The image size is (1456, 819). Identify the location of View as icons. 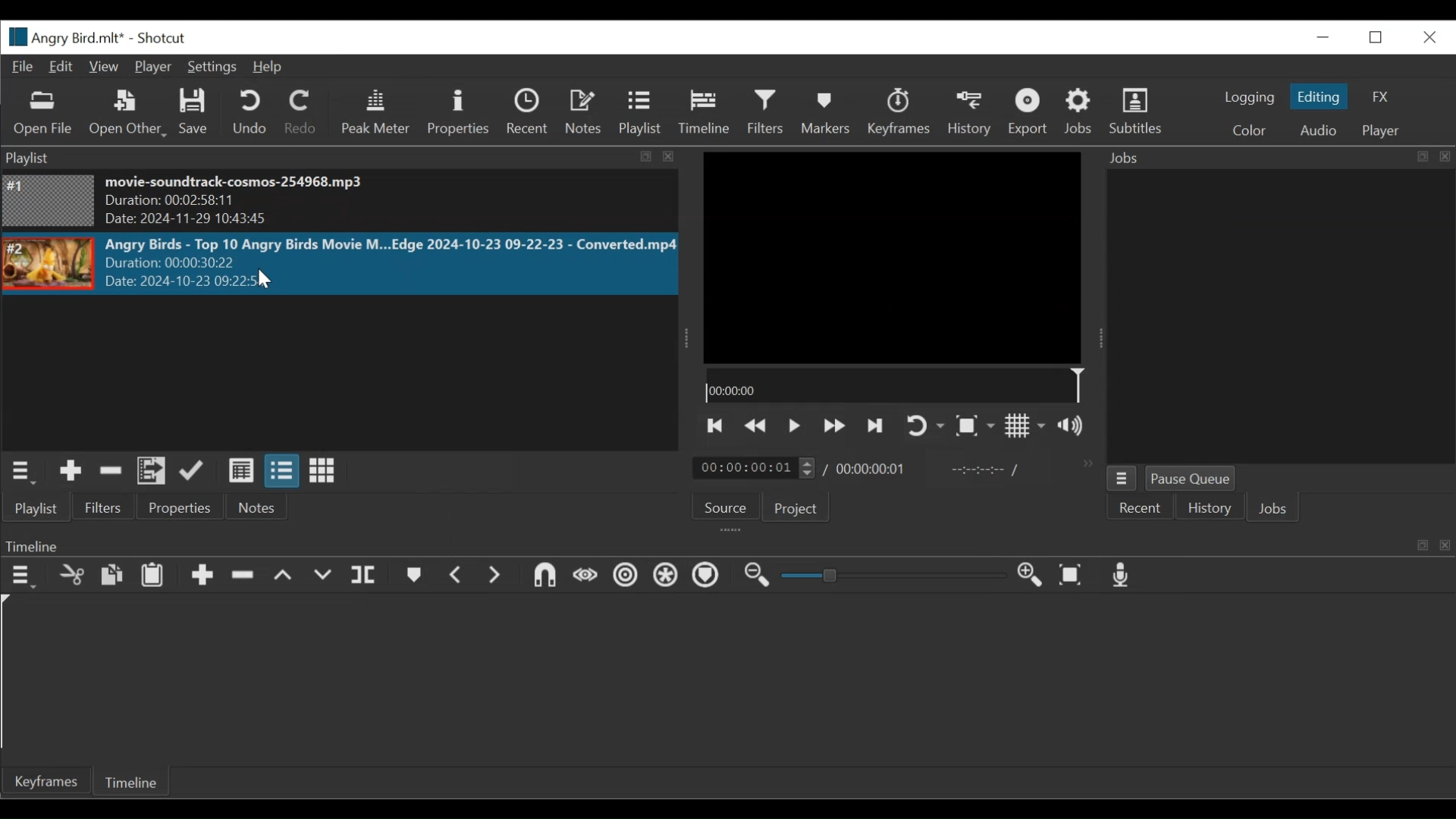
(322, 471).